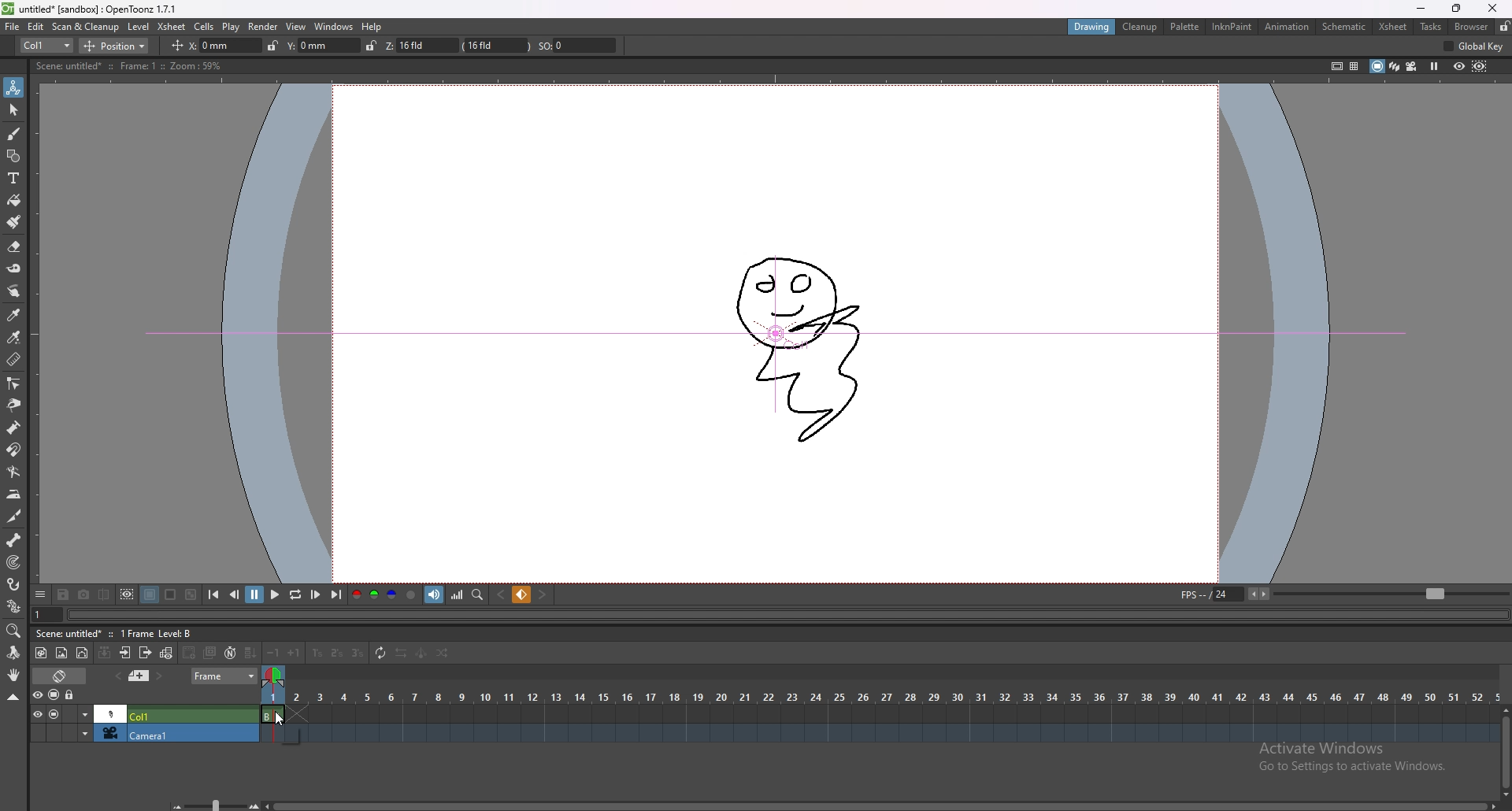 This screenshot has width=1512, height=811. I want to click on add memo, so click(139, 676).